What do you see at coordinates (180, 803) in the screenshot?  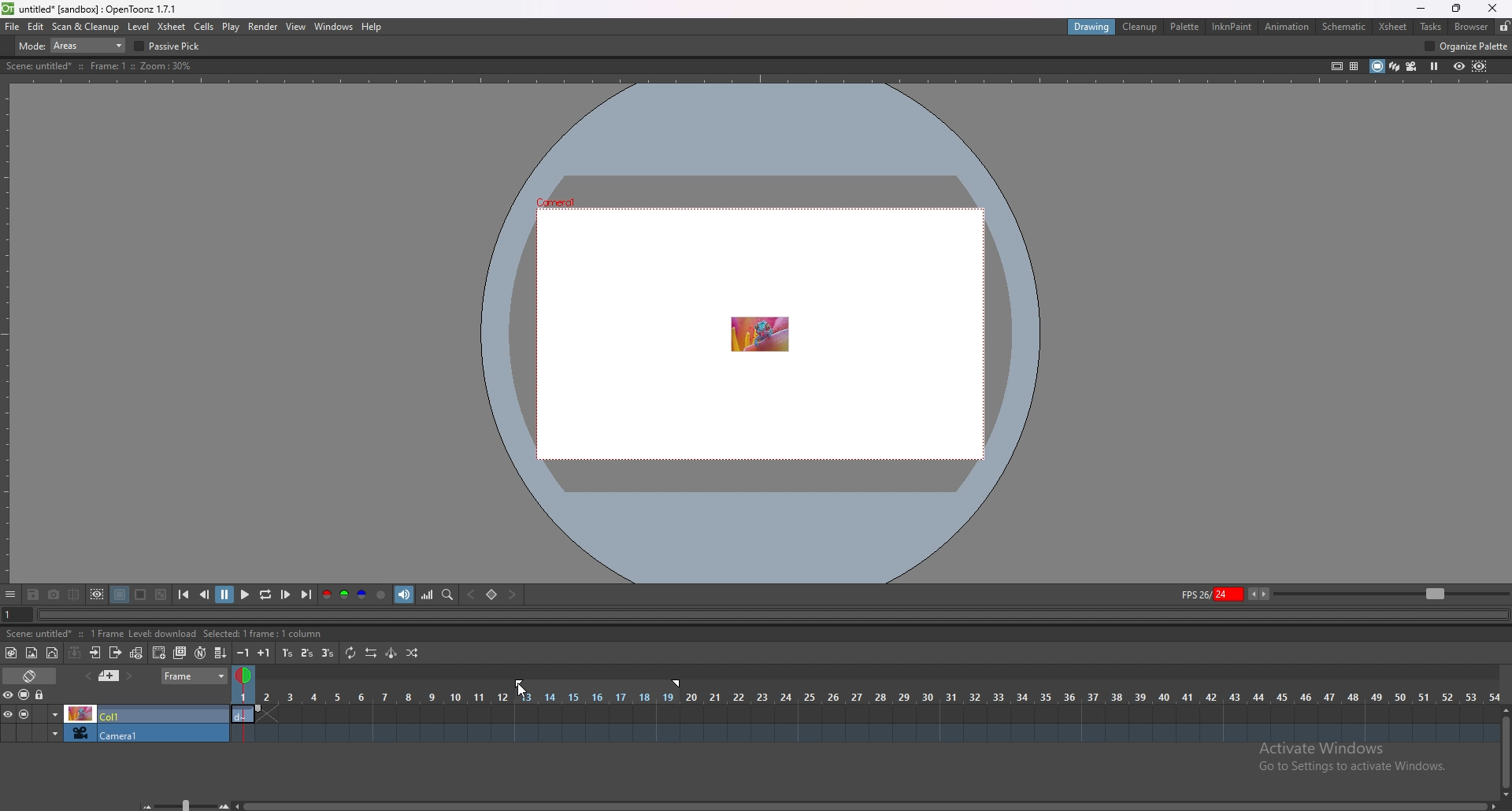 I see `zoom` at bounding box center [180, 803].